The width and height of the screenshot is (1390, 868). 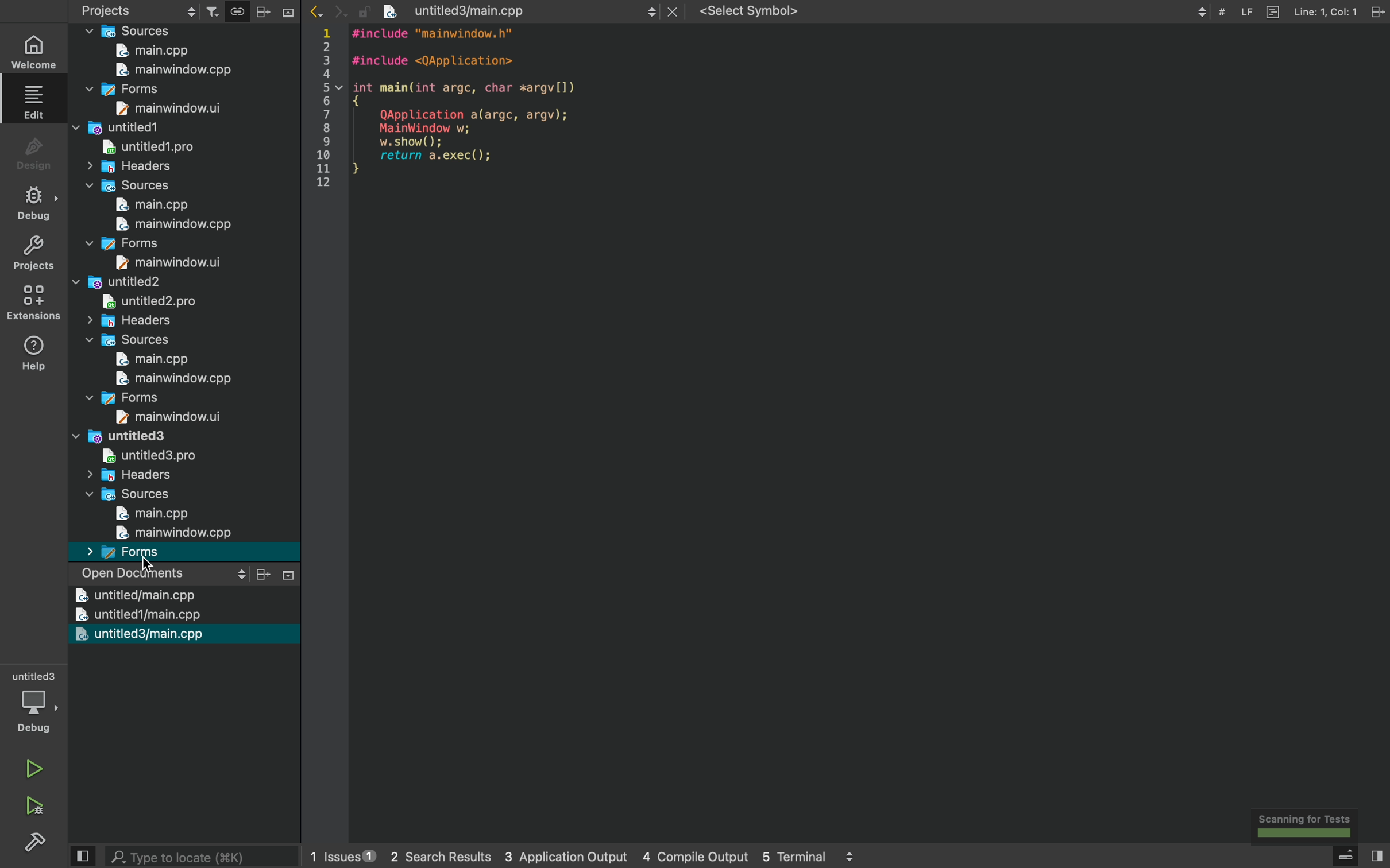 I want to click on Headers, so click(x=126, y=166).